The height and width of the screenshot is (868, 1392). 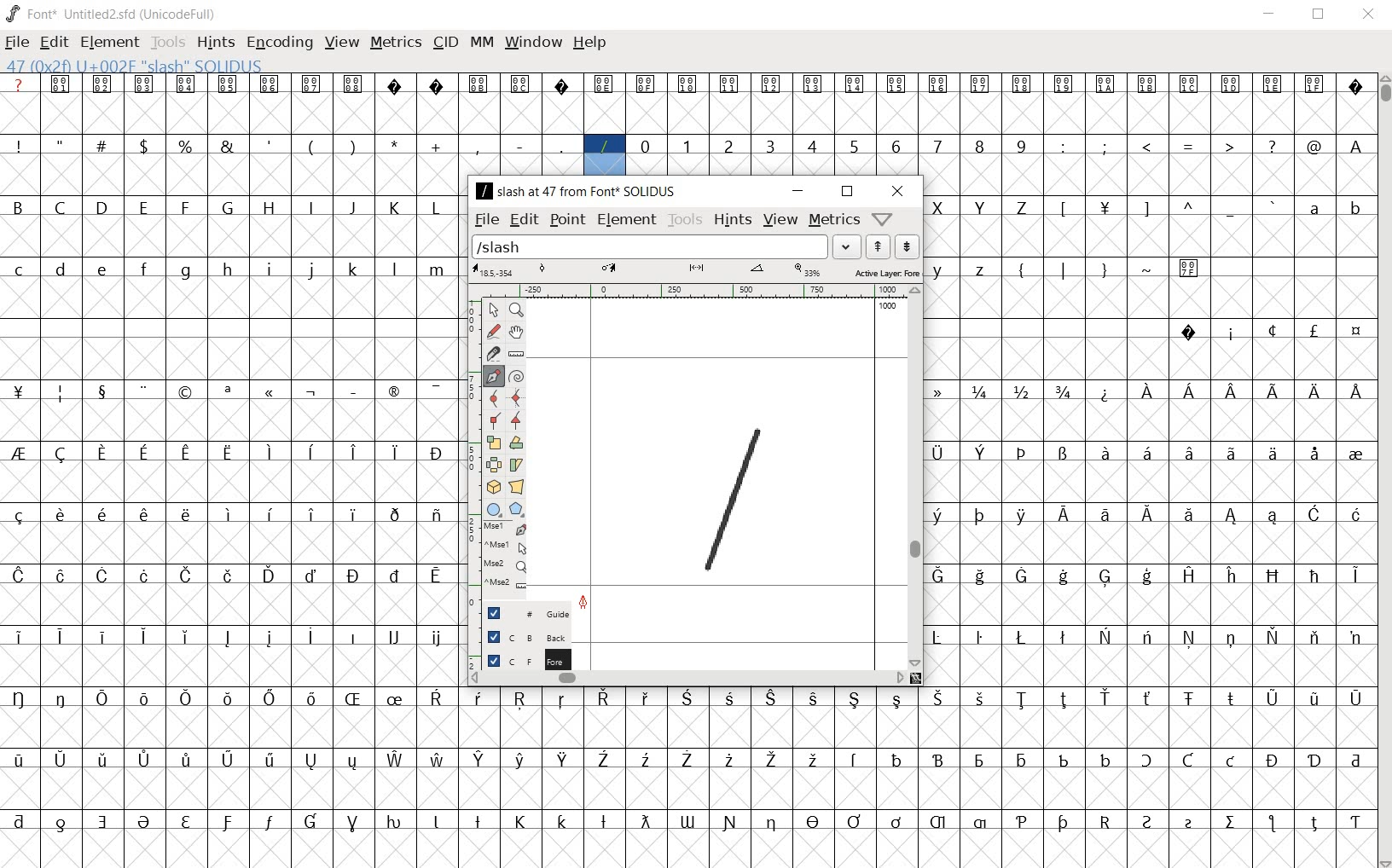 I want to click on metrics, so click(x=834, y=219).